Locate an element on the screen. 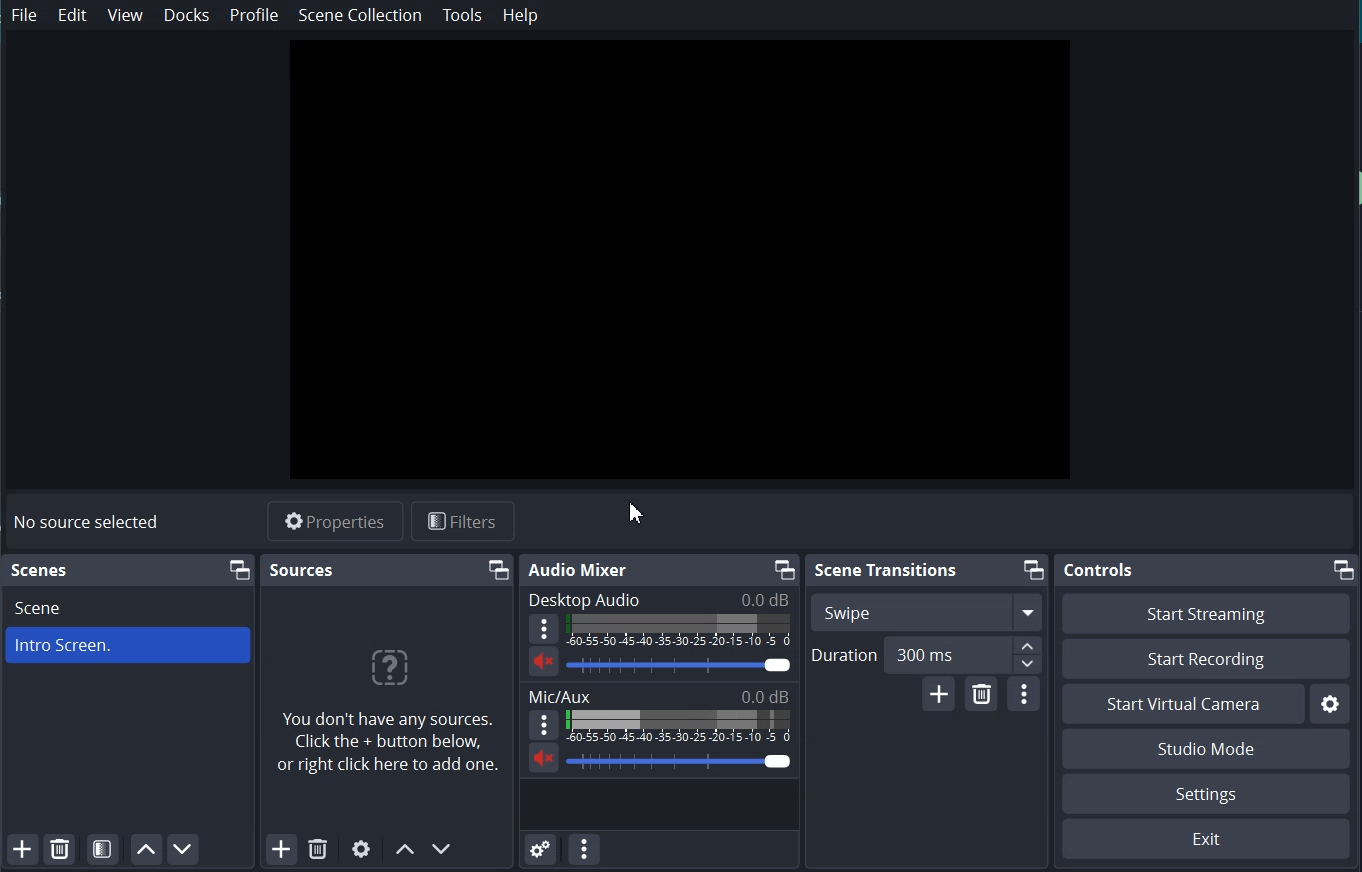 This screenshot has height=872, width=1362. Volume Adjuster is located at coordinates (683, 761).